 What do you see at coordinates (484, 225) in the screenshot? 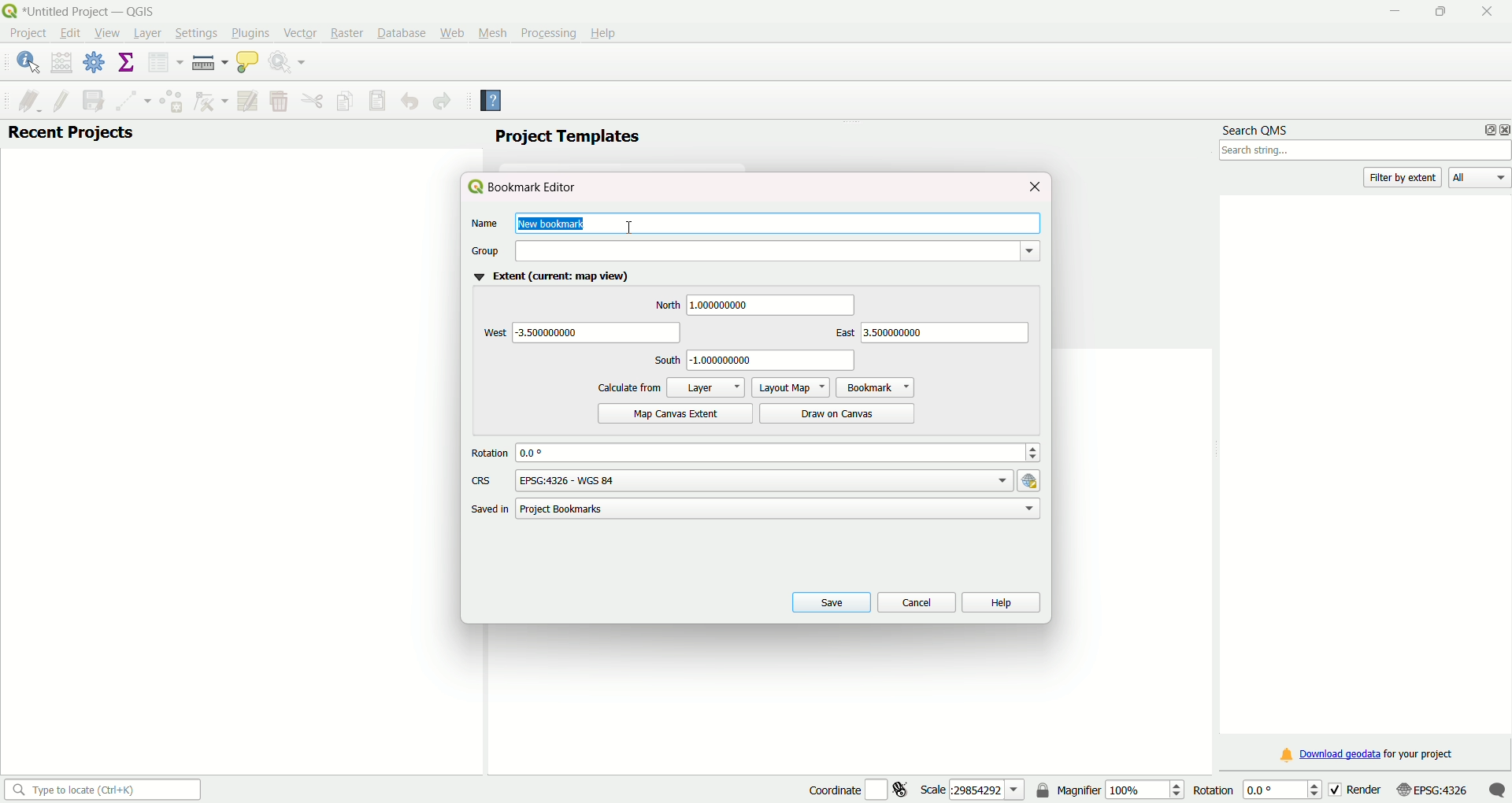
I see `Name` at bounding box center [484, 225].